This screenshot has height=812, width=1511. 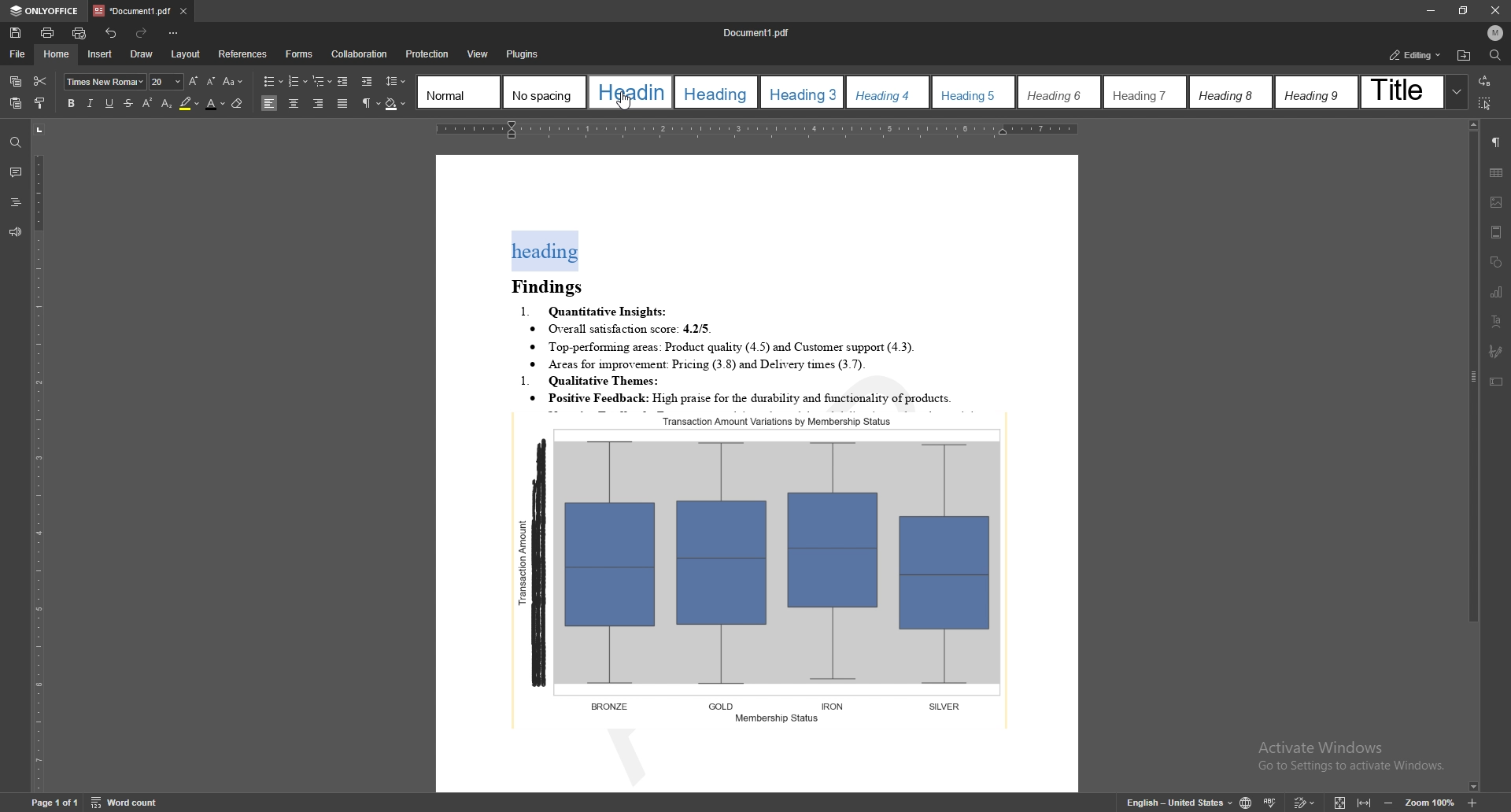 What do you see at coordinates (167, 104) in the screenshot?
I see `subscript` at bounding box center [167, 104].